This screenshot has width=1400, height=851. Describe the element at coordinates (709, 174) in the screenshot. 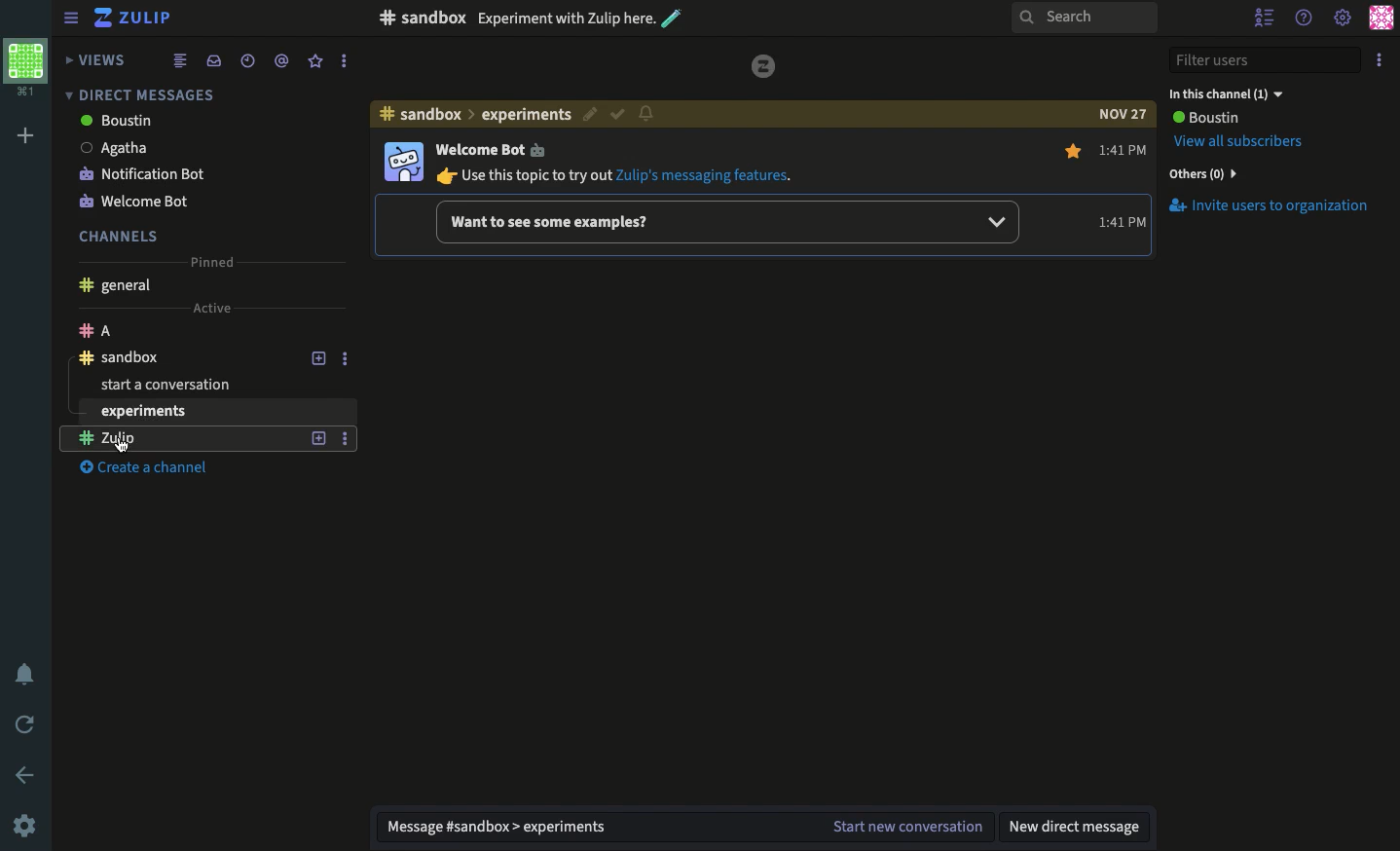

I see `hyperlink` at that location.